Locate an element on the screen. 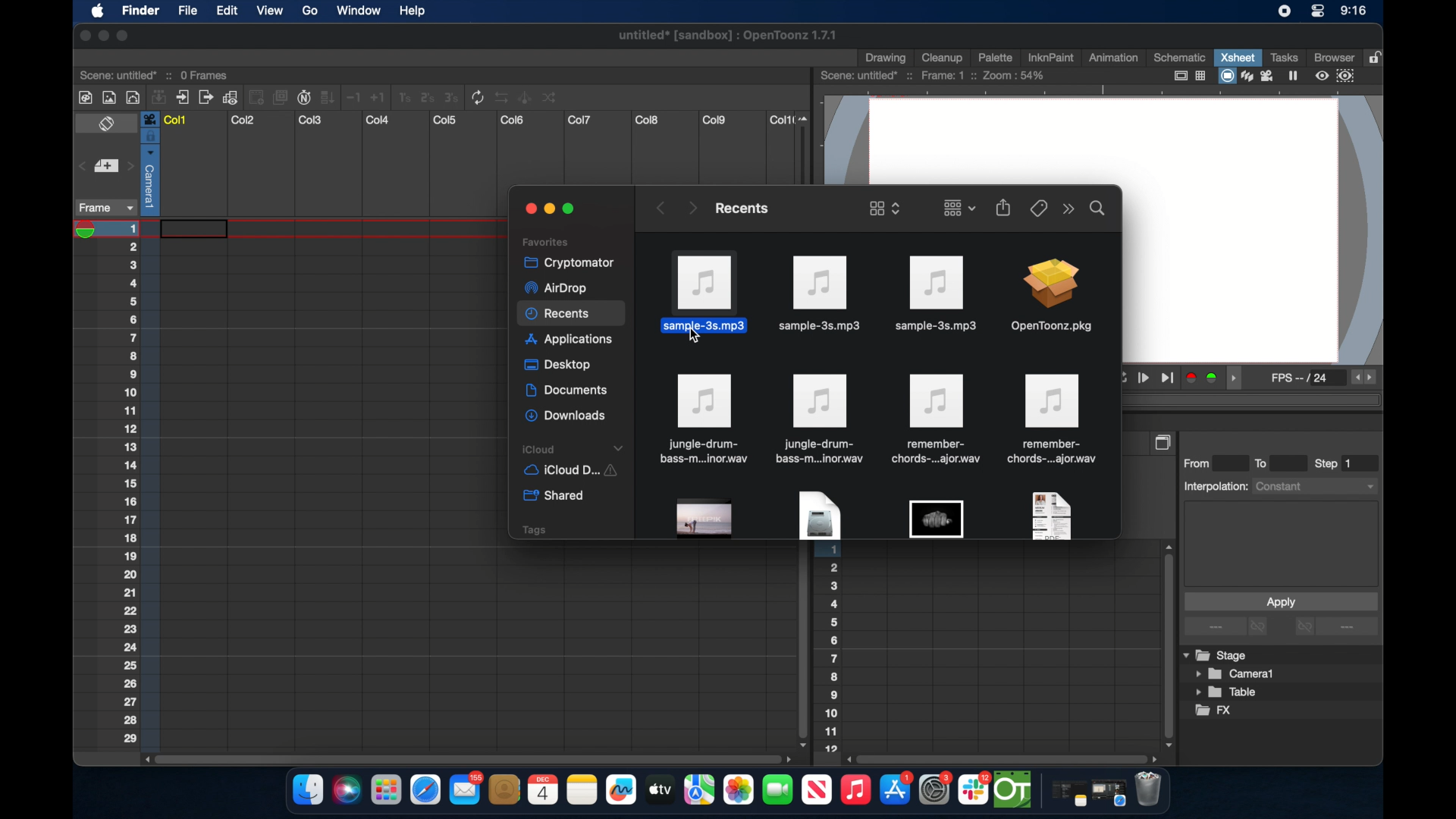 The height and width of the screenshot is (819, 1456). scene is located at coordinates (934, 76).